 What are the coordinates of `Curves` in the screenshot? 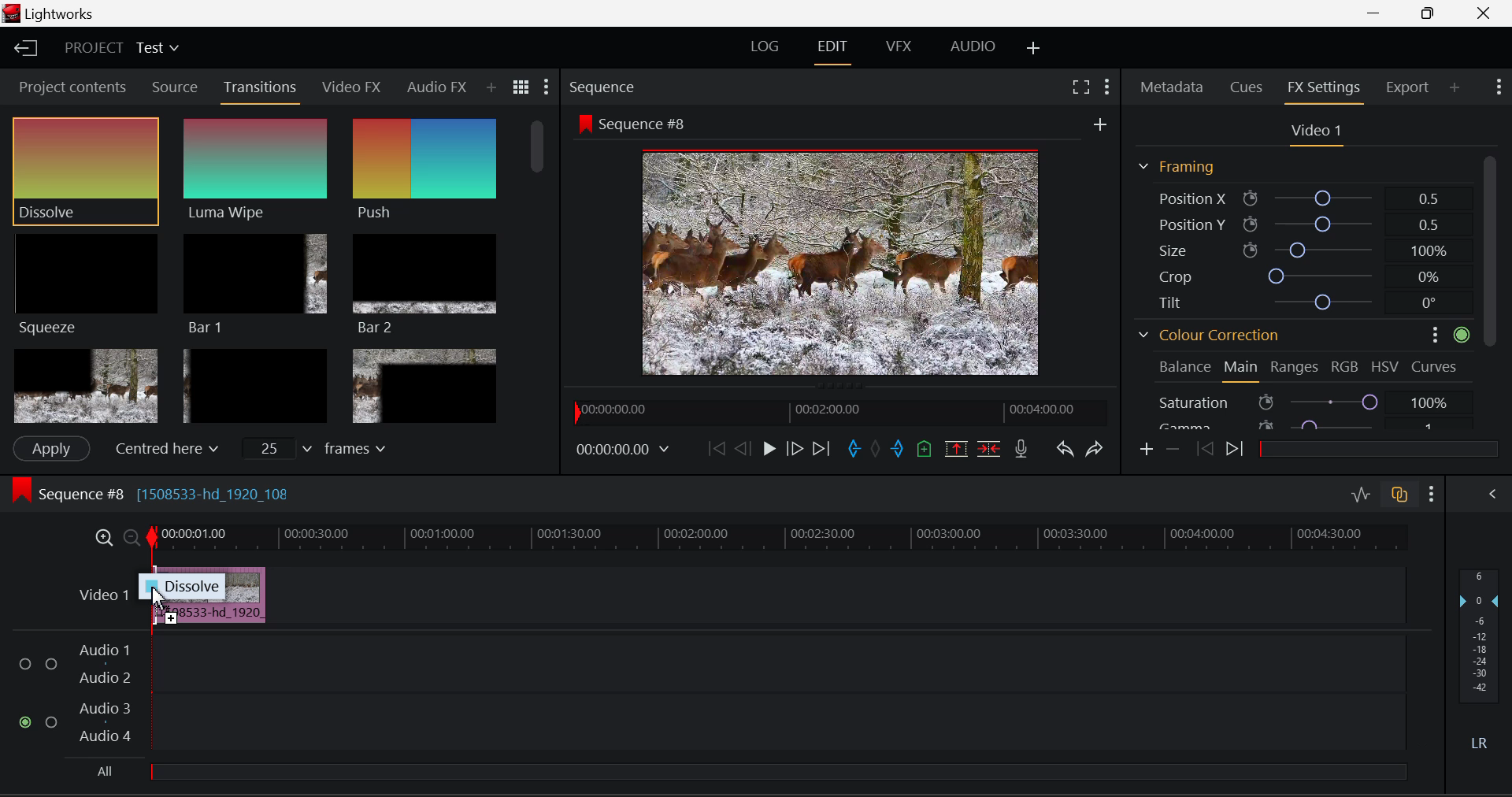 It's located at (1436, 365).